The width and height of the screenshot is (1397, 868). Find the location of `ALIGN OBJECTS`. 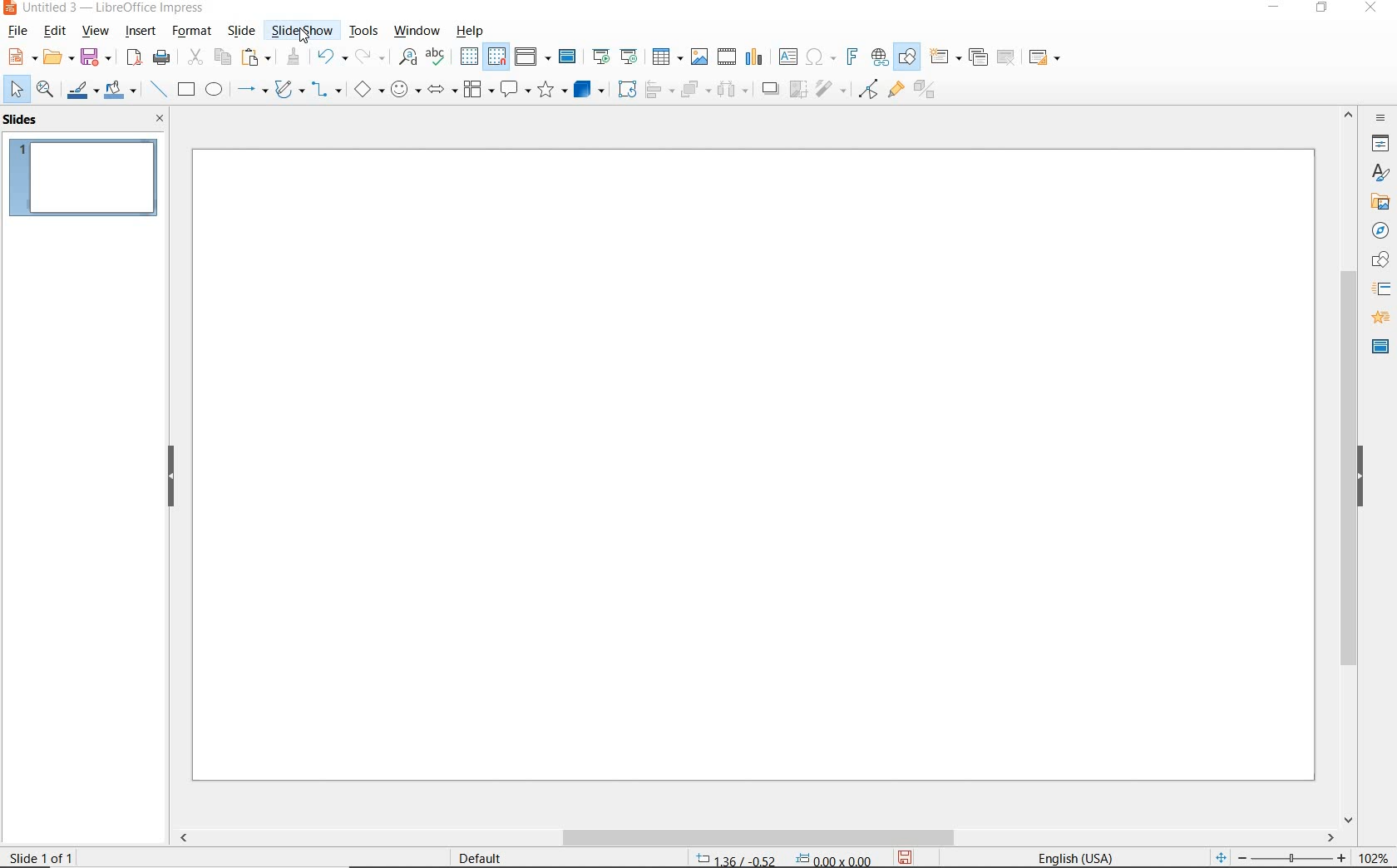

ALIGN OBJECTS is located at coordinates (655, 90).